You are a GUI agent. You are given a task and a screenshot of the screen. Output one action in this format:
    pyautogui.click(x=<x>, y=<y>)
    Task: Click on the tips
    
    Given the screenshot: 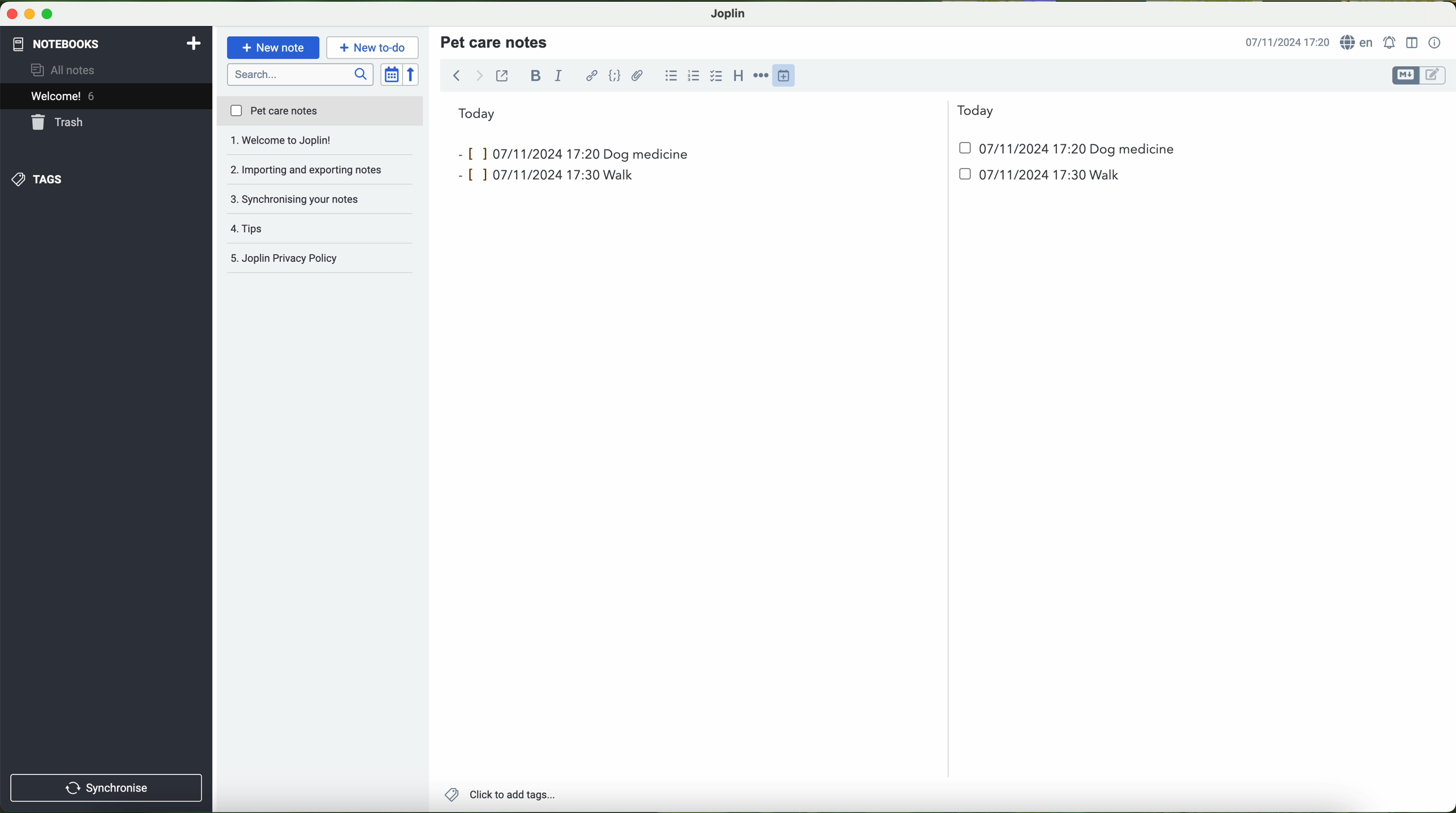 What is the action you would take?
    pyautogui.click(x=320, y=199)
    